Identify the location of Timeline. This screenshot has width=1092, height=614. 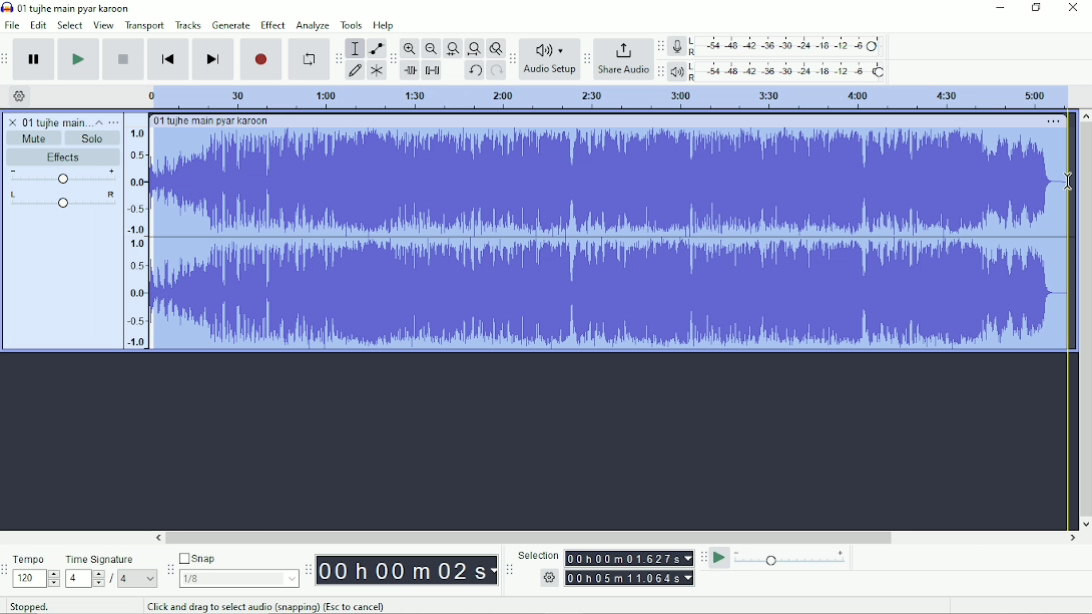
(605, 97).